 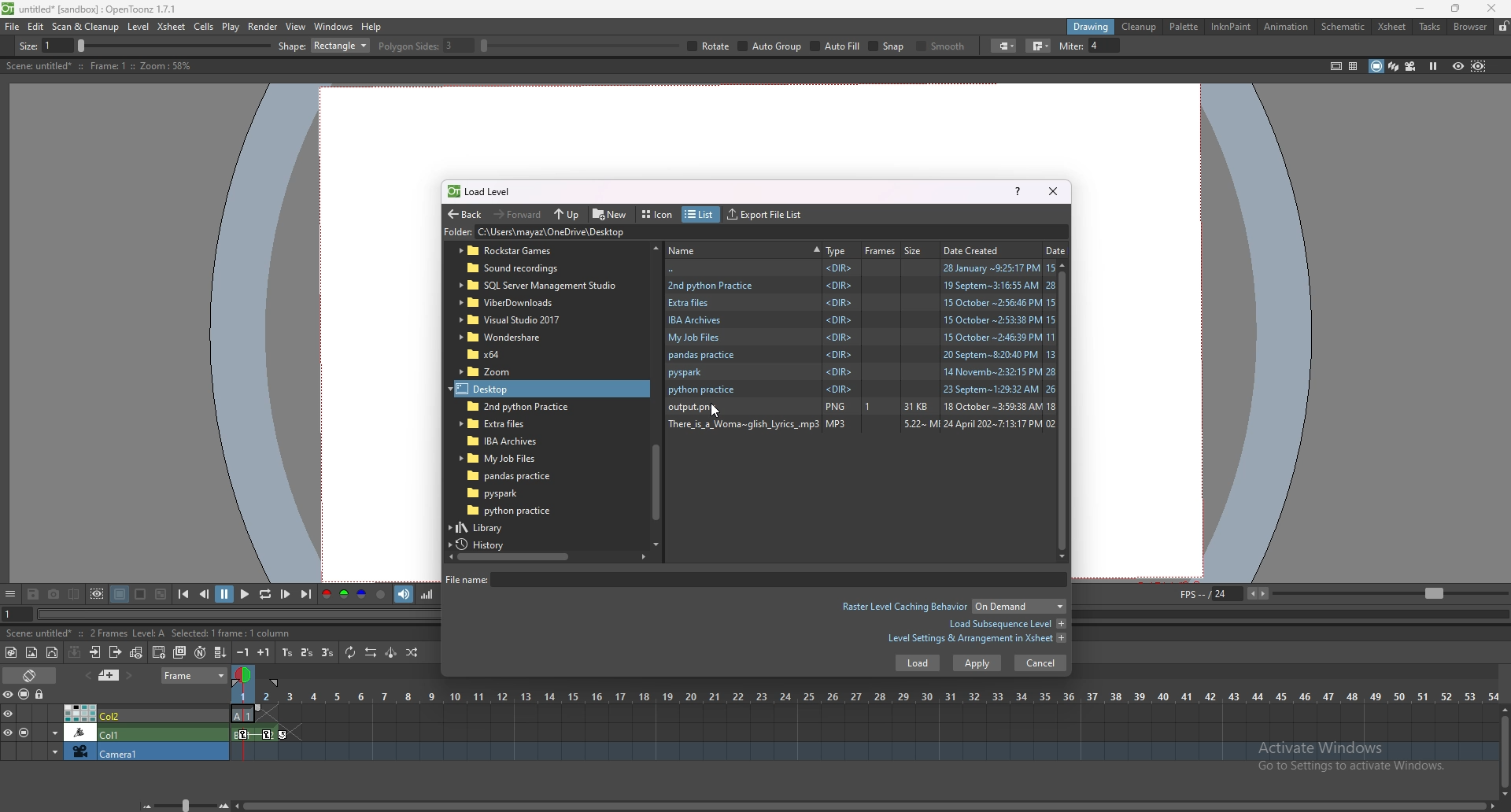 What do you see at coordinates (641, 46) in the screenshot?
I see `shape` at bounding box center [641, 46].